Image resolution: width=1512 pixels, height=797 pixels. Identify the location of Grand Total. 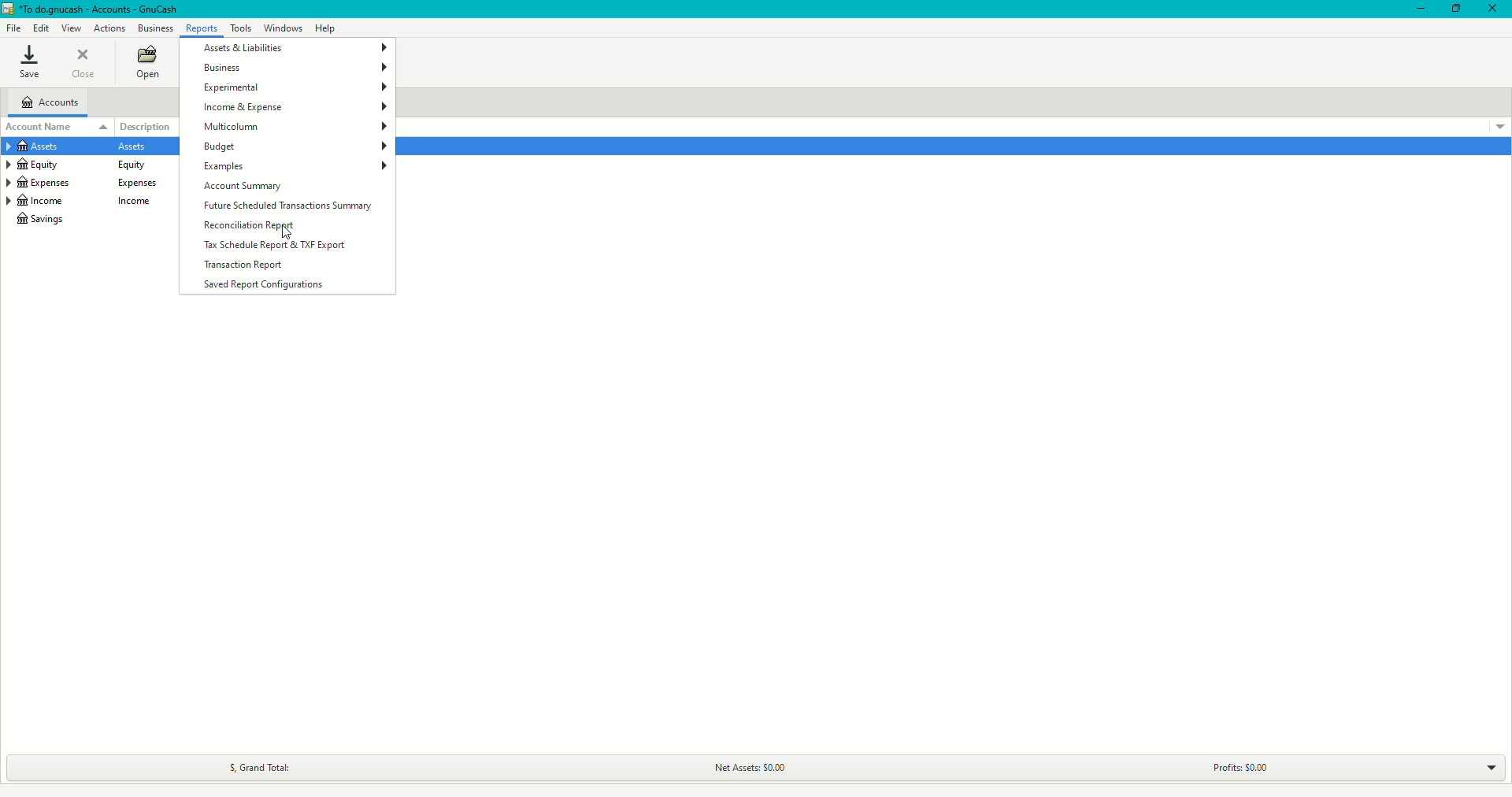
(257, 767).